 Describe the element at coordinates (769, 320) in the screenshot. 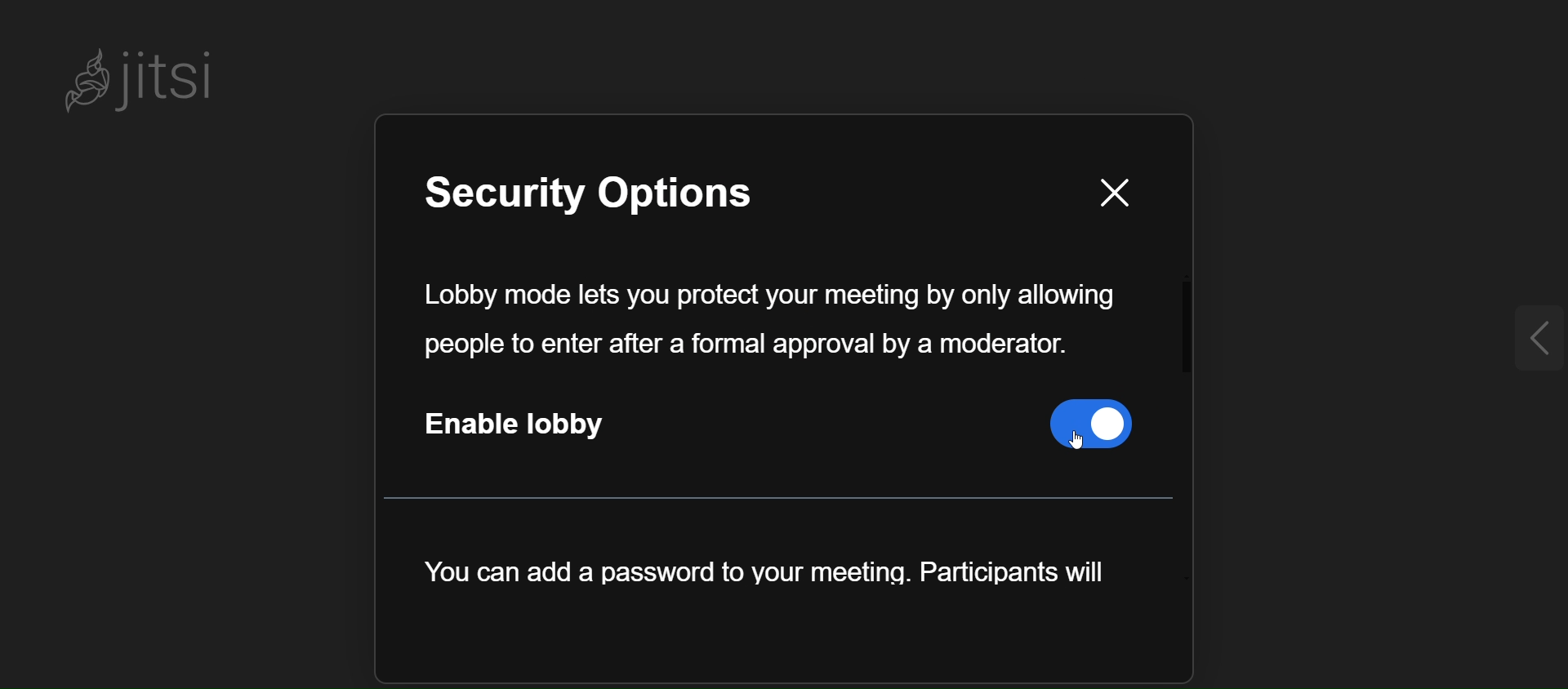

I see `Lobby mode lets you protect your meeting by only allowing
people to enter after a formal approval by a moderator.` at that location.